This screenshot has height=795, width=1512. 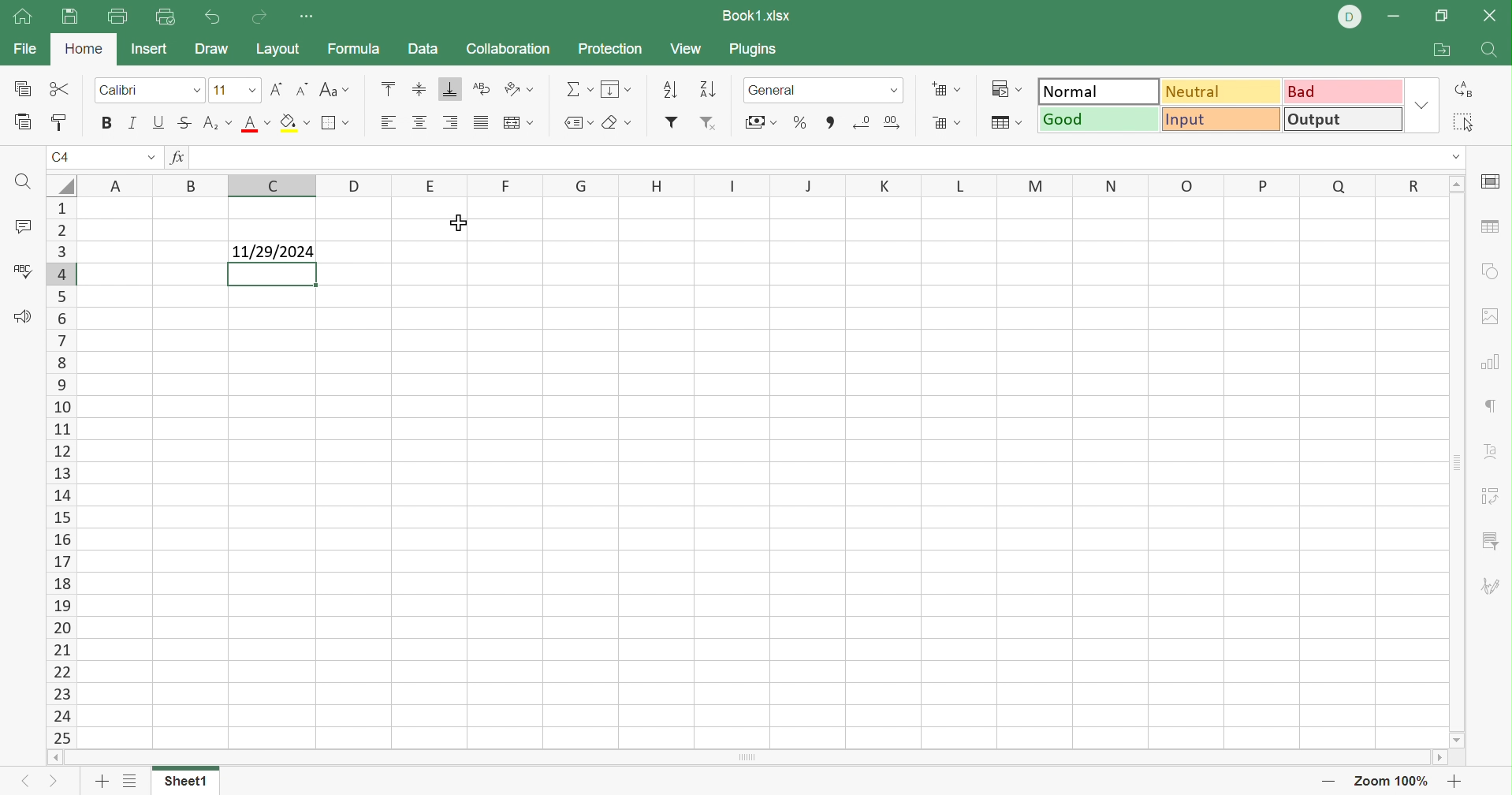 What do you see at coordinates (255, 125) in the screenshot?
I see `Font color` at bounding box center [255, 125].